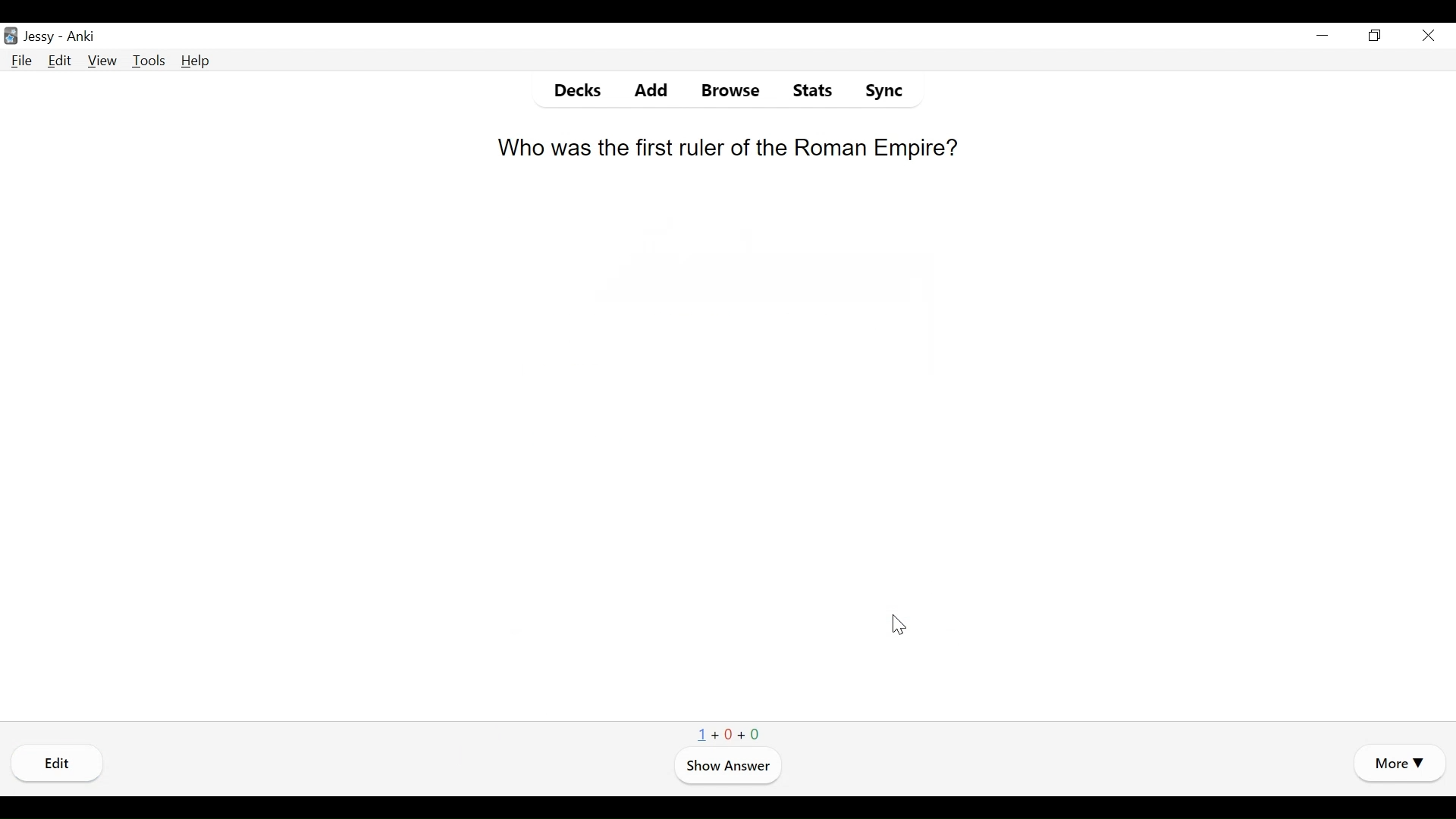 The image size is (1456, 819). Describe the element at coordinates (11, 35) in the screenshot. I see `Anki Desktop Icon` at that location.